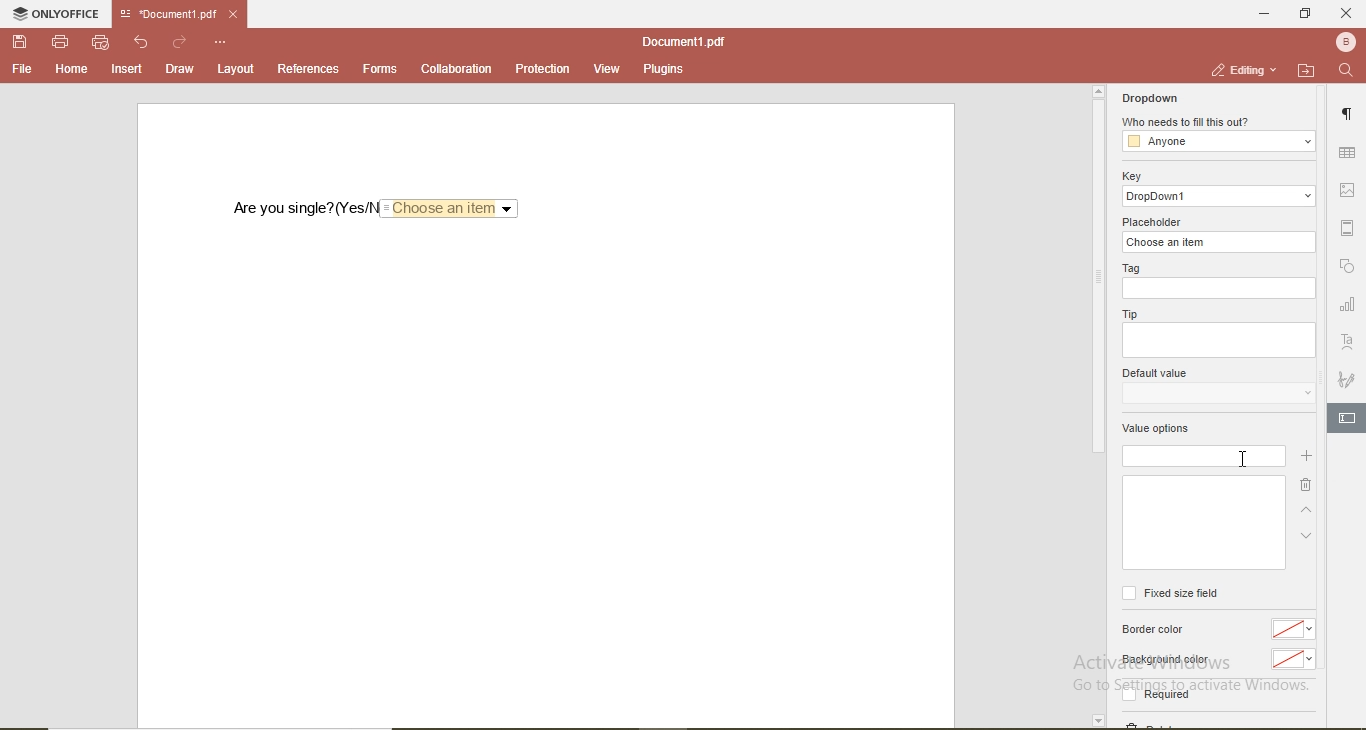 This screenshot has height=730, width=1366. What do you see at coordinates (1348, 377) in the screenshot?
I see `signature` at bounding box center [1348, 377].